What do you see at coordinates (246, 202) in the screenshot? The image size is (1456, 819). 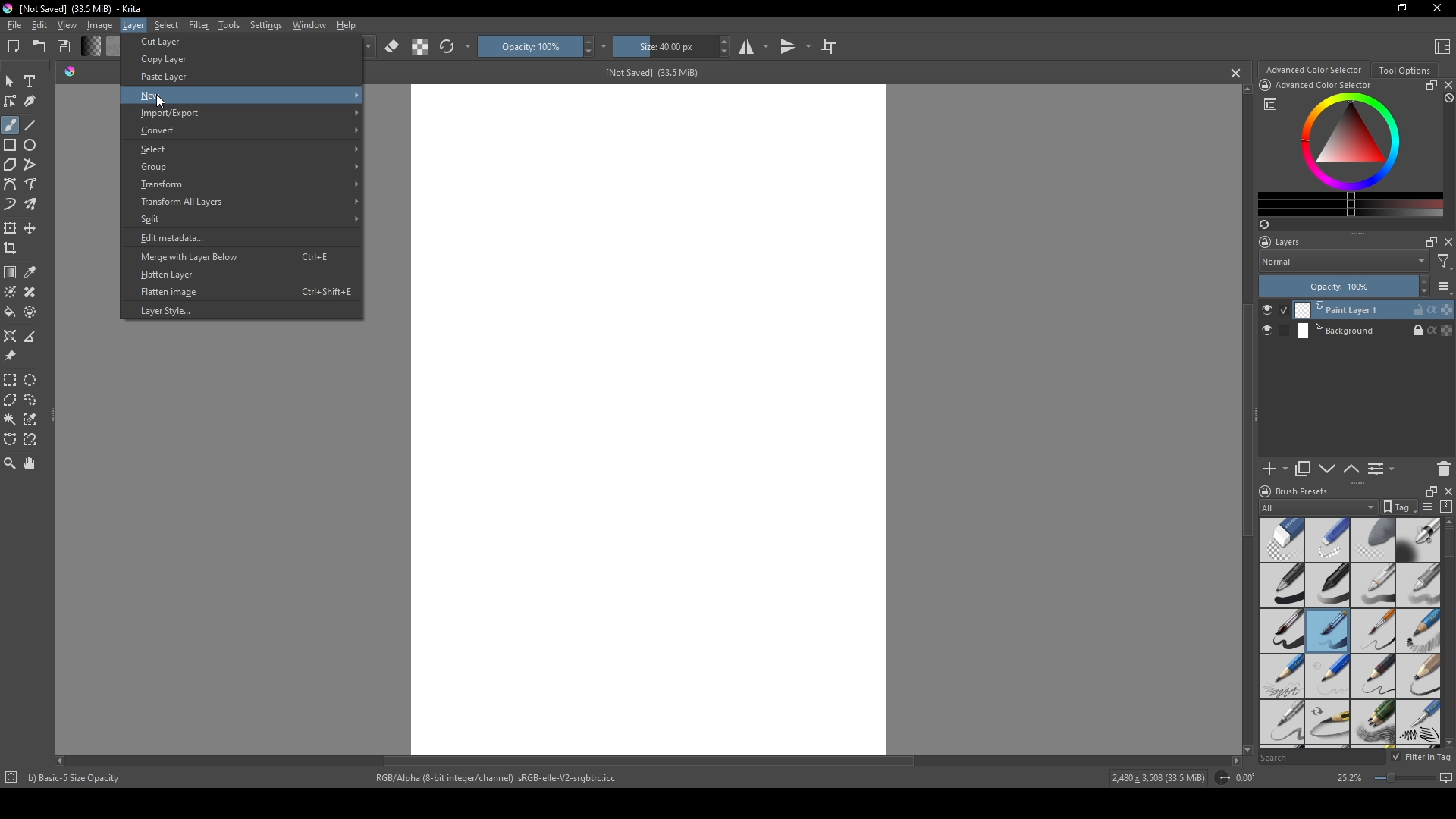 I see `Transform All Layers` at bounding box center [246, 202].